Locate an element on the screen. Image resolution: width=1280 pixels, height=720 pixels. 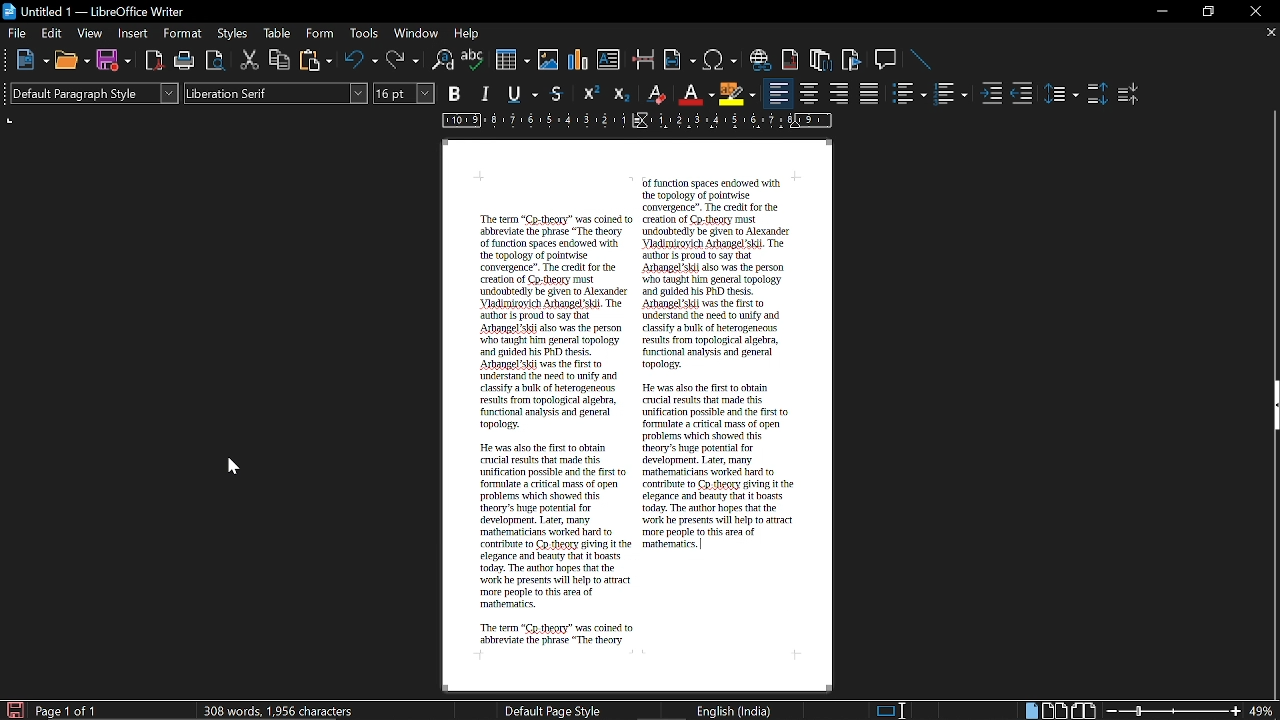
Decrease paragraph spacing is located at coordinates (1128, 93).